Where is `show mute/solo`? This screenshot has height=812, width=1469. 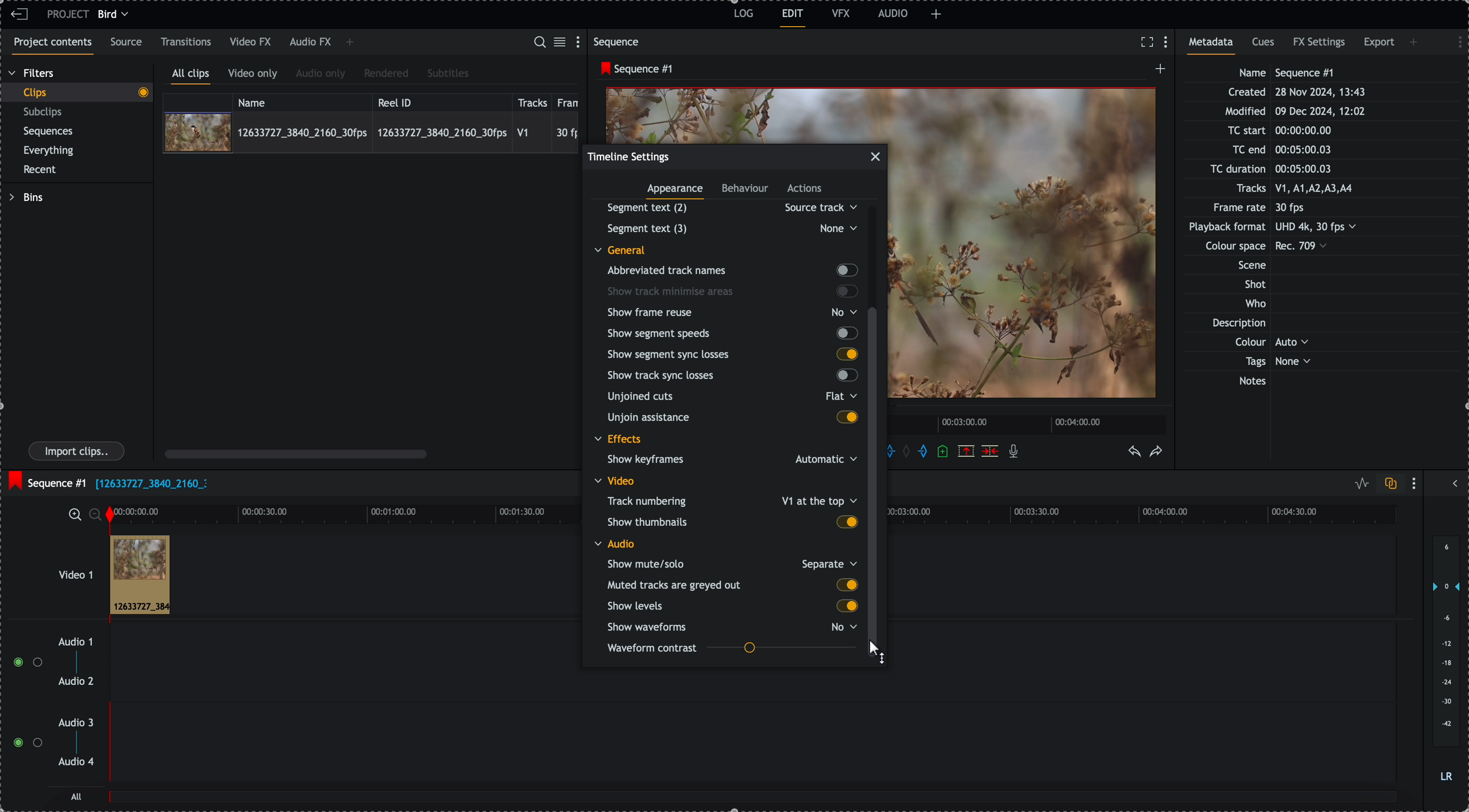 show mute/solo is located at coordinates (731, 563).